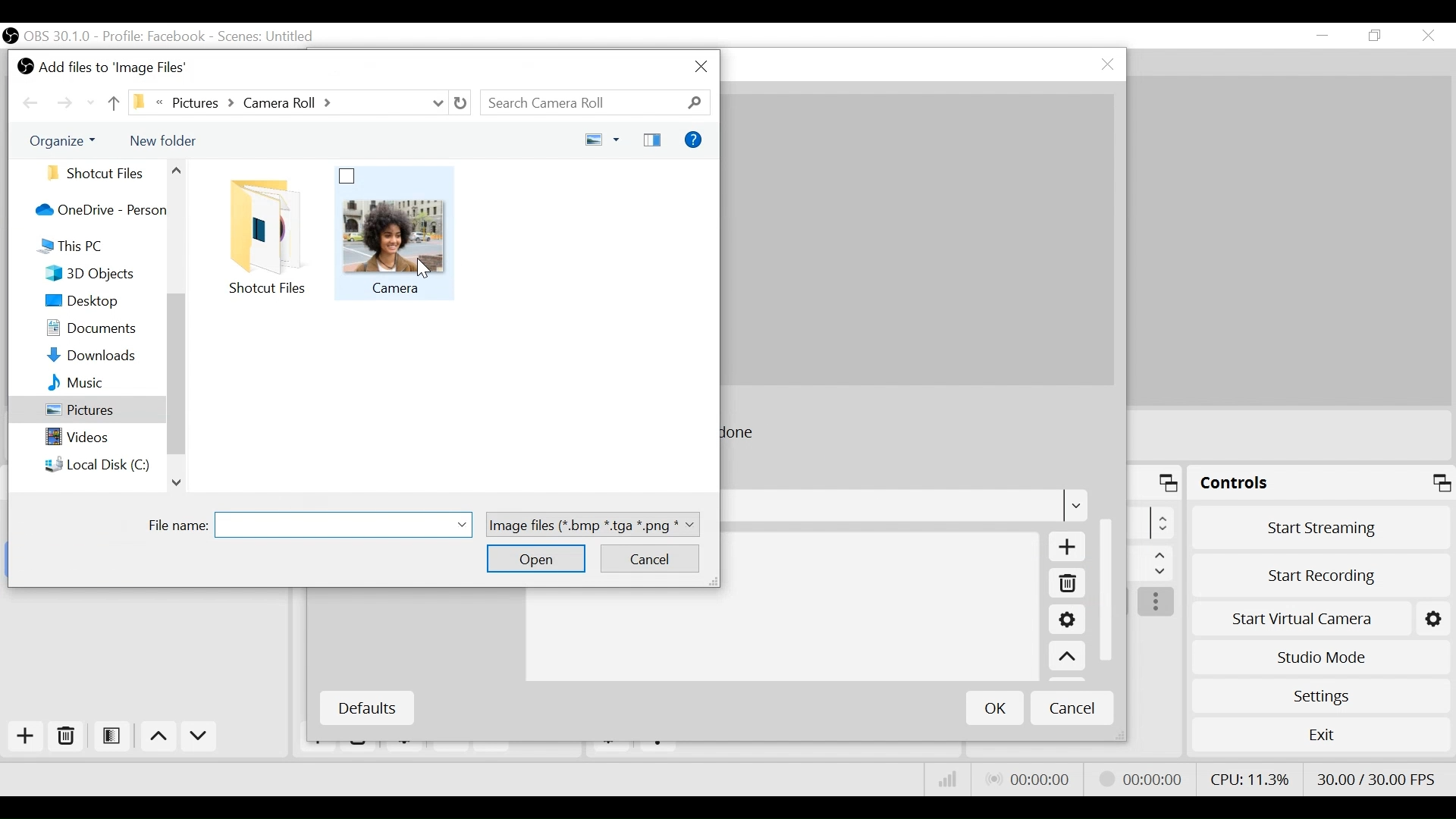 Image resolution: width=1456 pixels, height=819 pixels. What do you see at coordinates (366, 708) in the screenshot?
I see `Defaults` at bounding box center [366, 708].